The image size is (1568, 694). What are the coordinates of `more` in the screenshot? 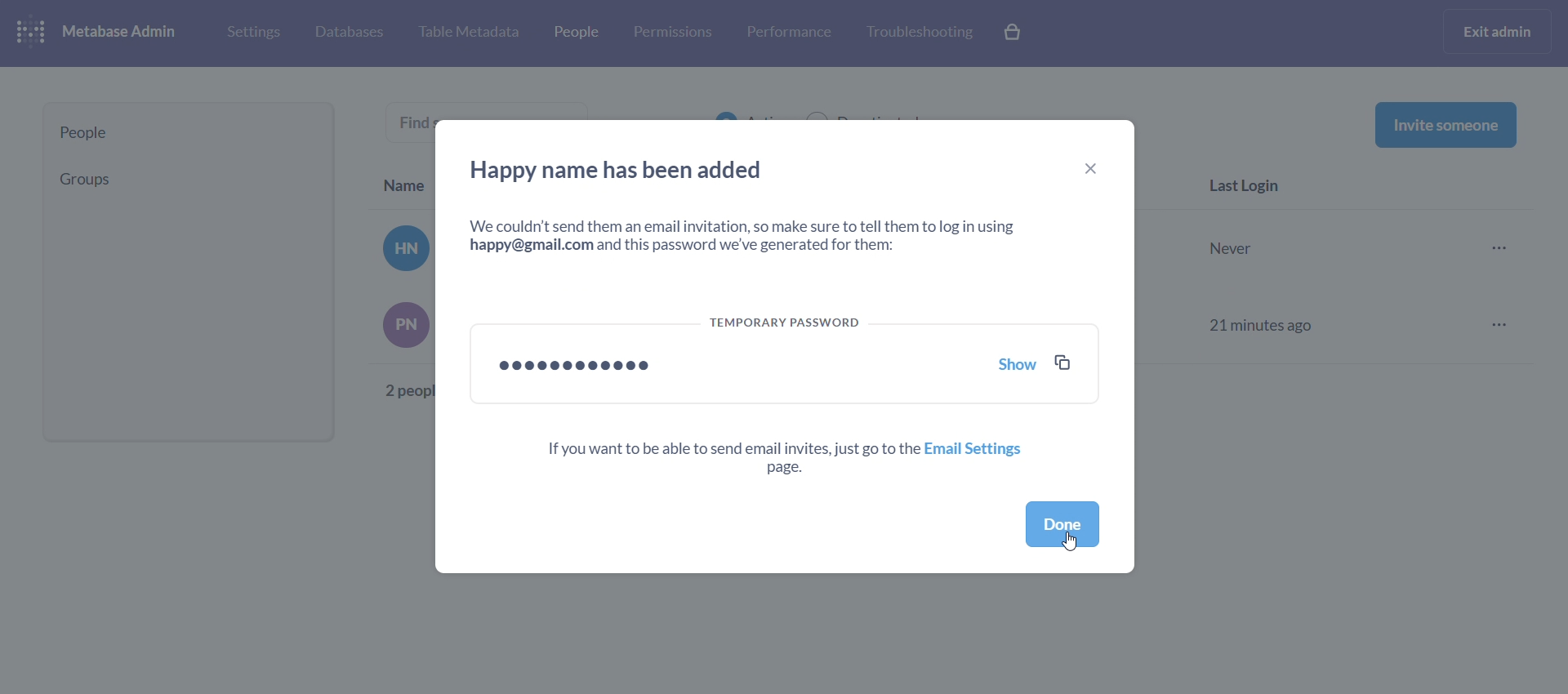 It's located at (1504, 249).